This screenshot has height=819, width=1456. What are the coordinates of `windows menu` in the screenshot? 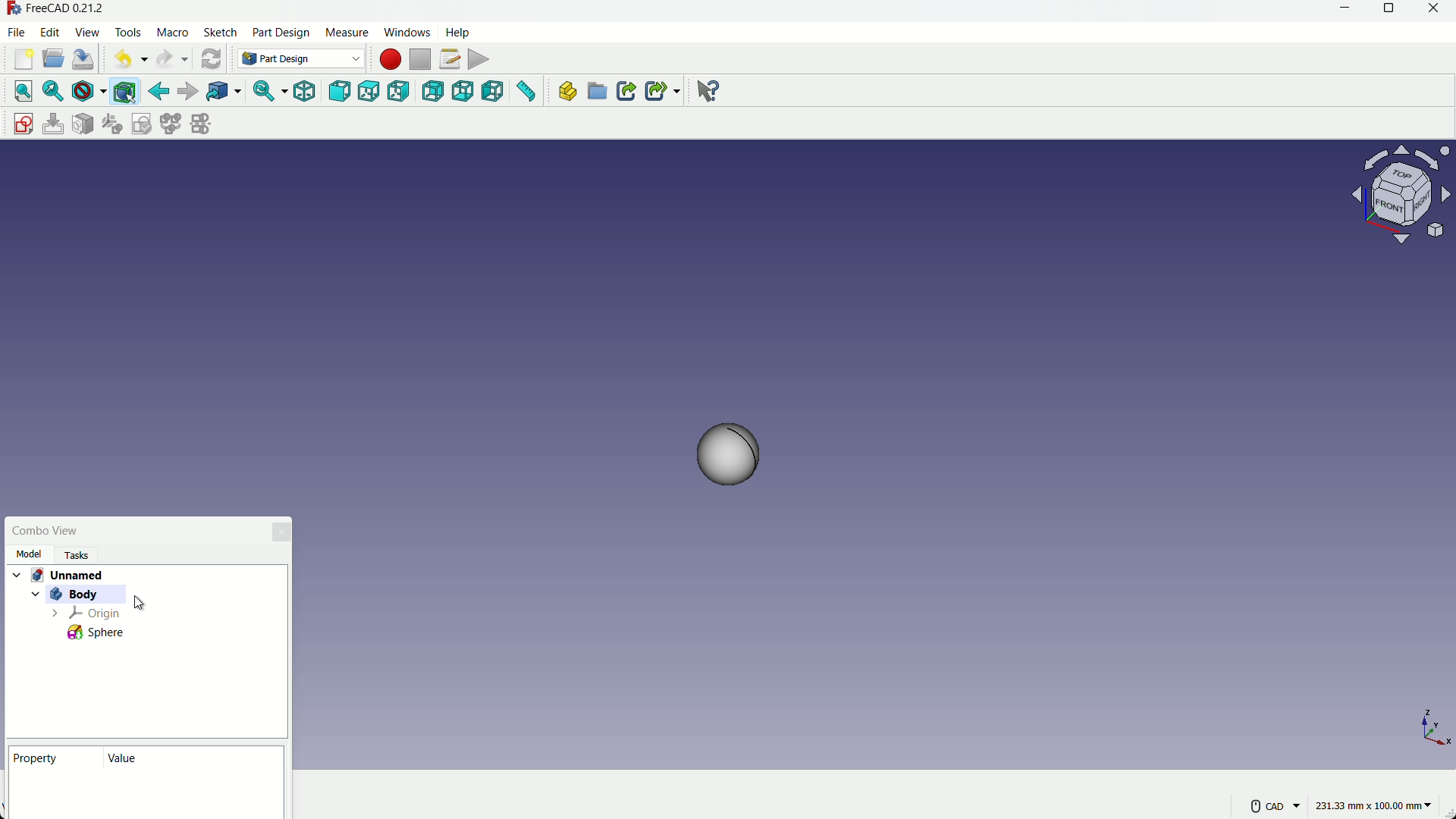 It's located at (406, 32).